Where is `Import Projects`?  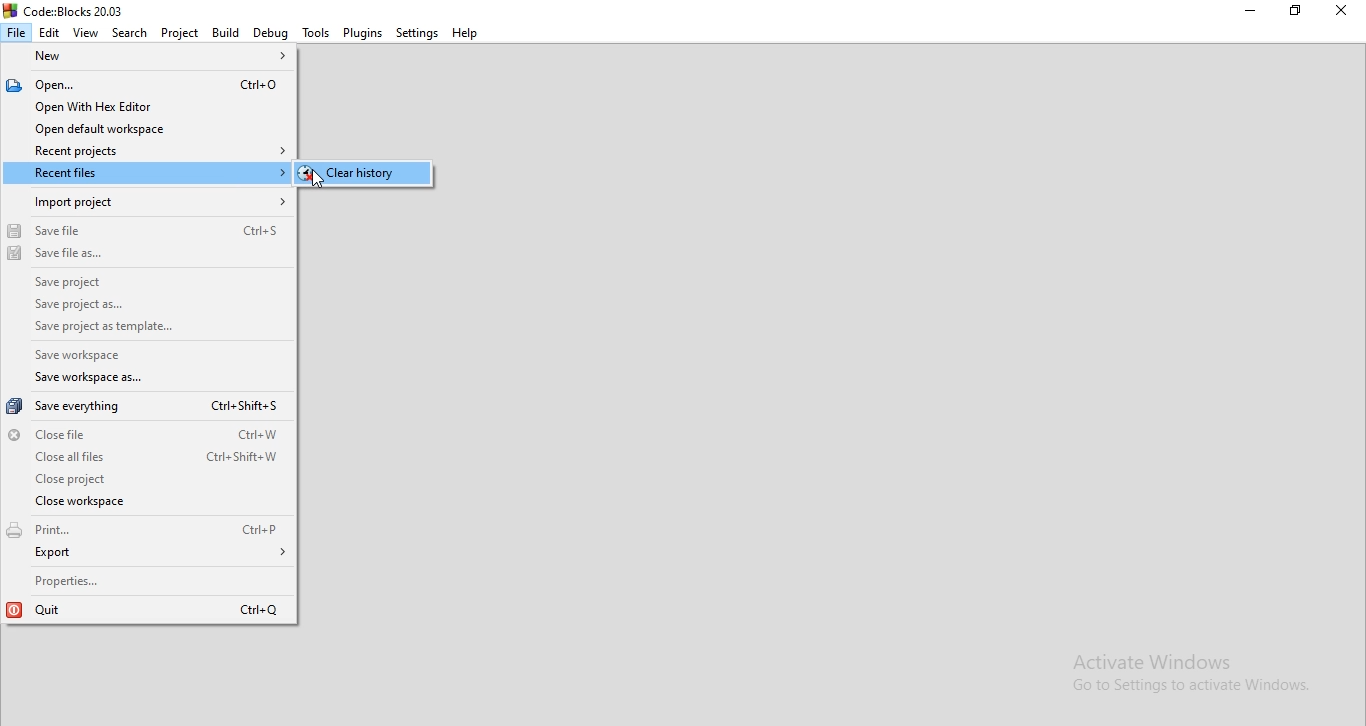
Import Projects is located at coordinates (146, 202).